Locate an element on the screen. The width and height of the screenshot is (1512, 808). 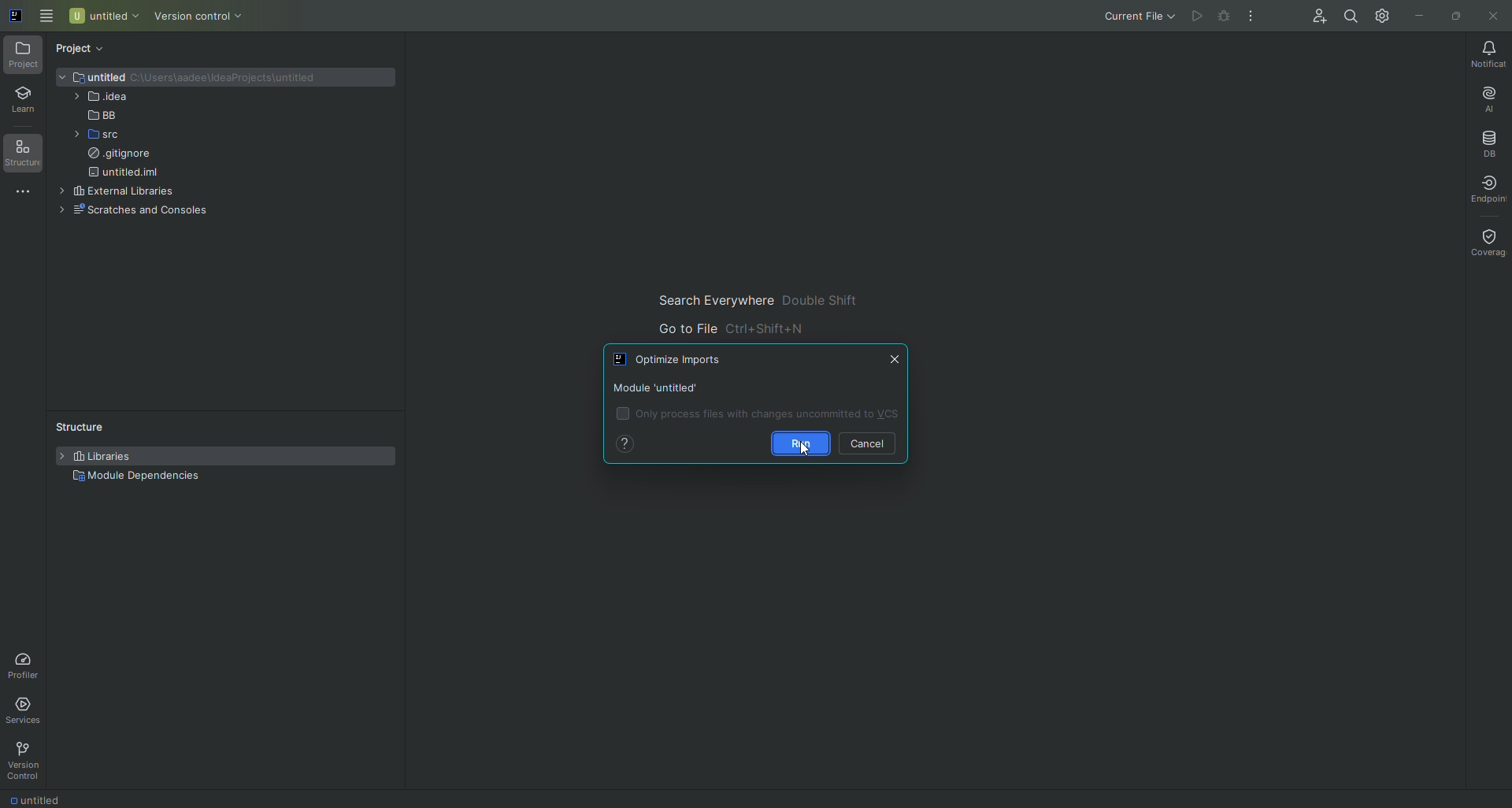
Run is located at coordinates (1194, 17).